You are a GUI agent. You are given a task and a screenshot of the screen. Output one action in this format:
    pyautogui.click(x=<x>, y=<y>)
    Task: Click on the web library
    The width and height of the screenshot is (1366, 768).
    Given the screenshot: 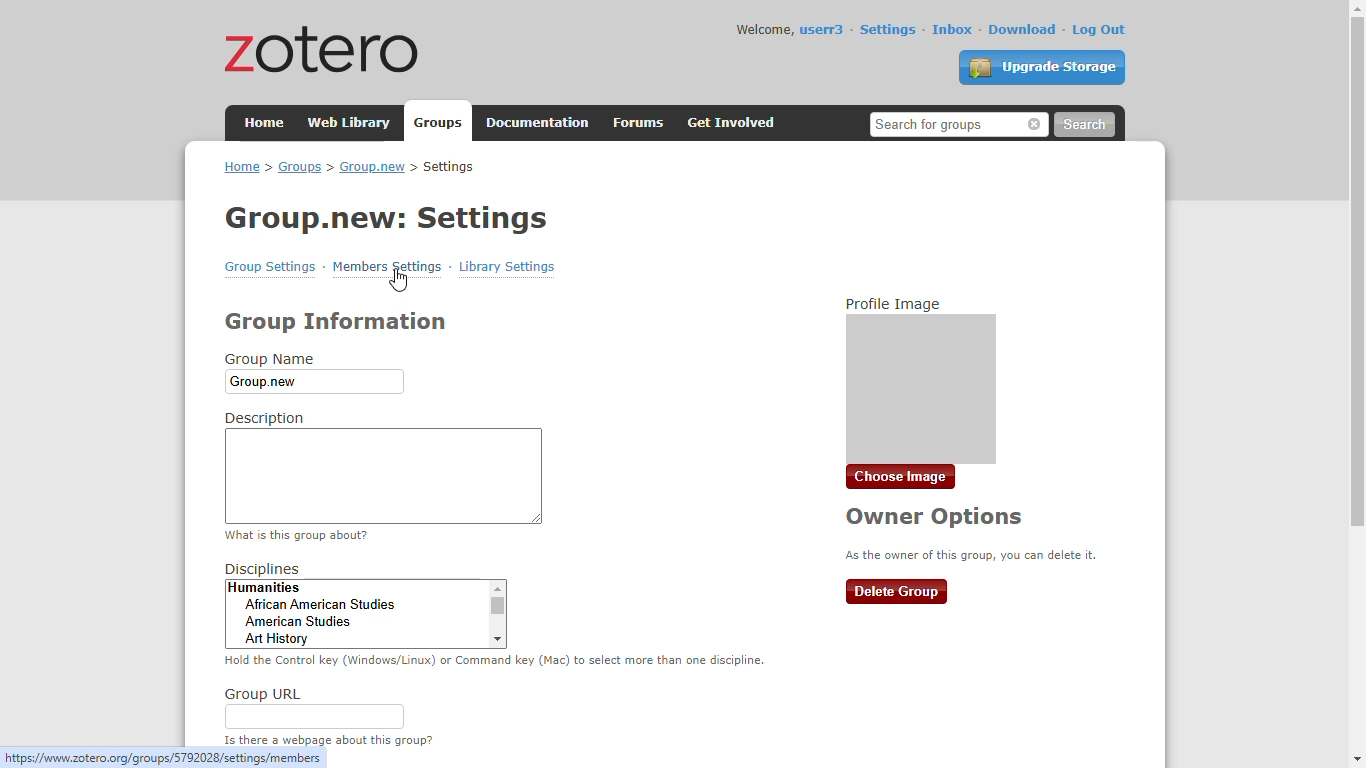 What is the action you would take?
    pyautogui.click(x=351, y=122)
    